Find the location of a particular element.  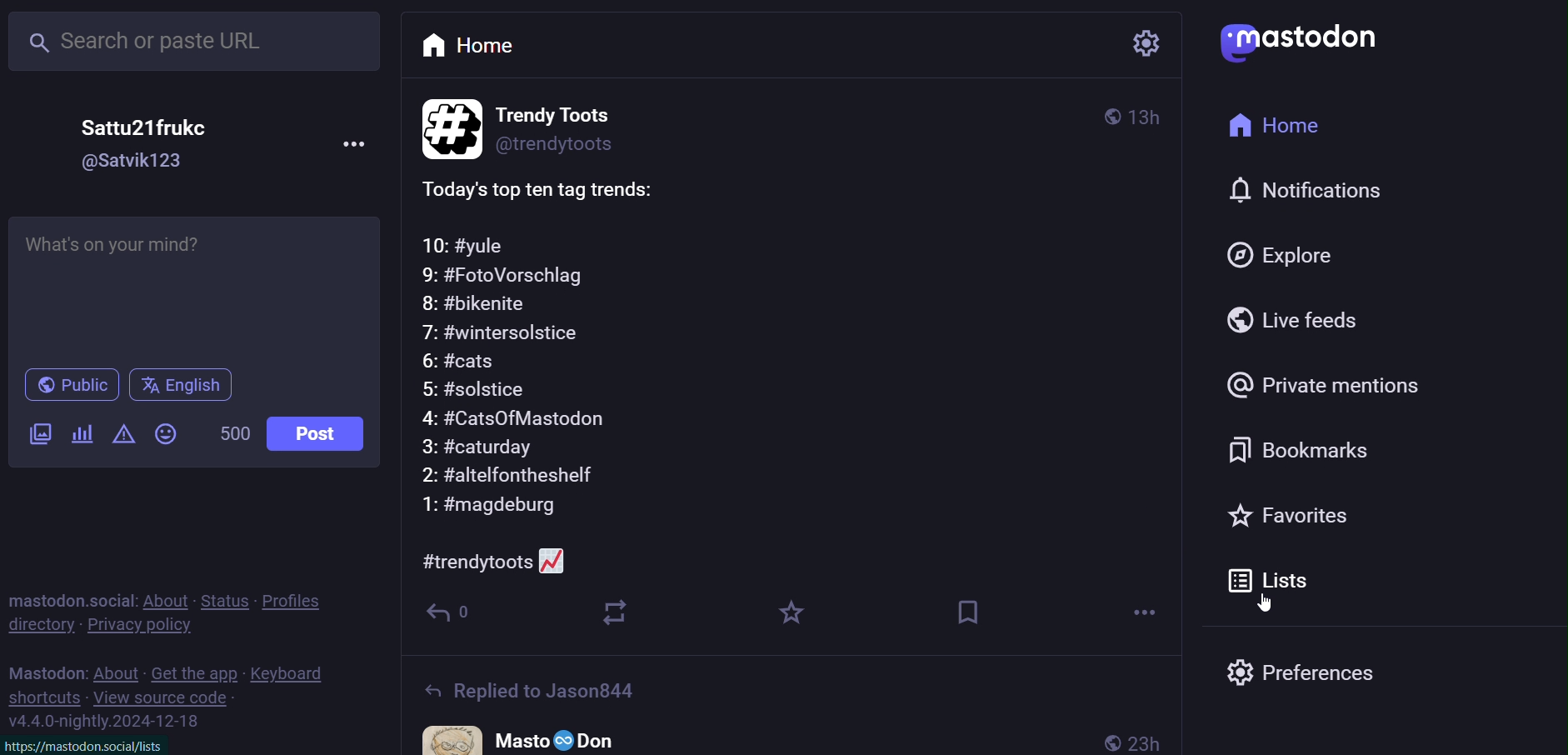

keyboard is located at coordinates (294, 673).